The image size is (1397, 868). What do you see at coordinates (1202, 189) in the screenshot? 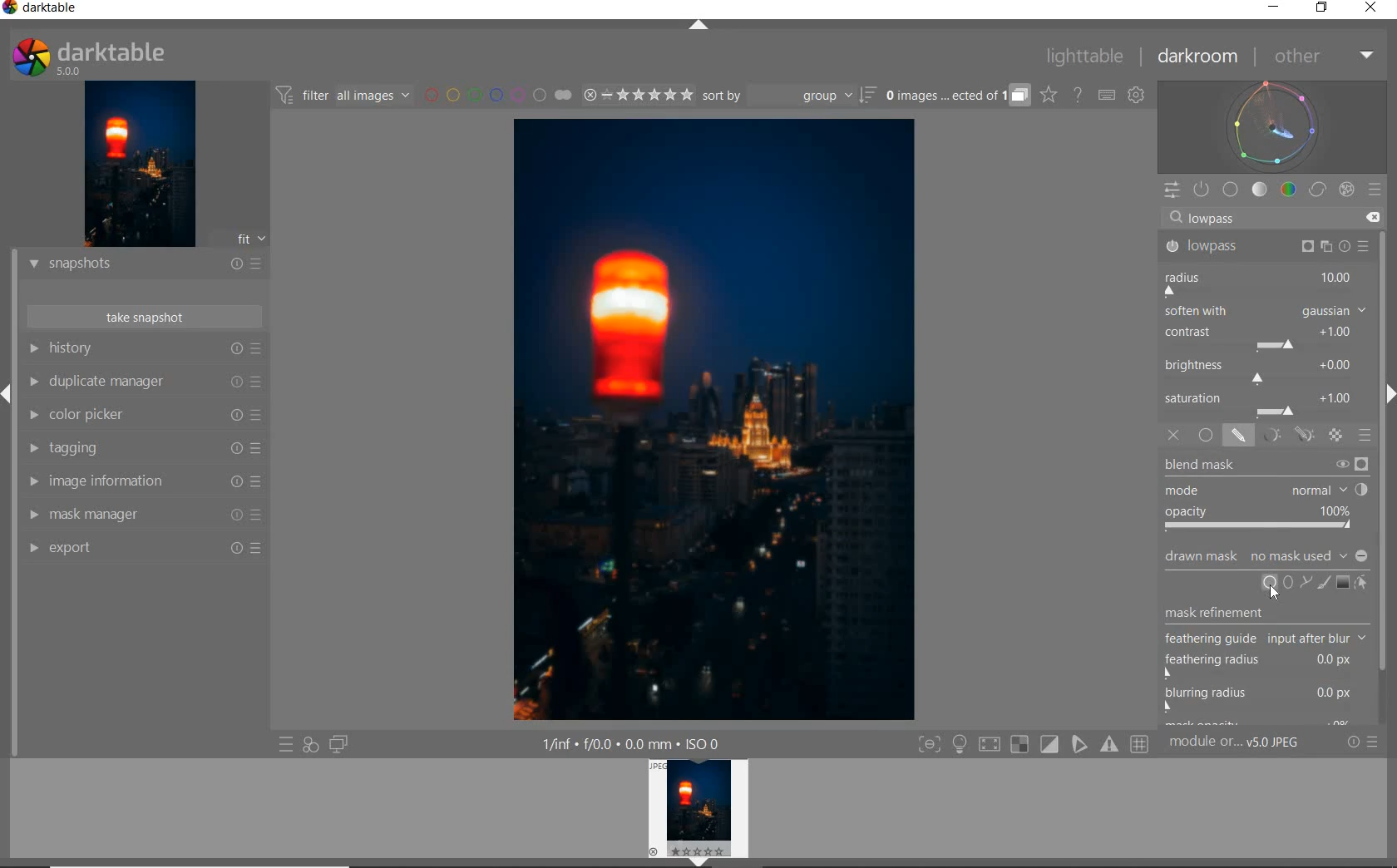
I see `SHOW ONLY ACTIVE MODULES` at bounding box center [1202, 189].